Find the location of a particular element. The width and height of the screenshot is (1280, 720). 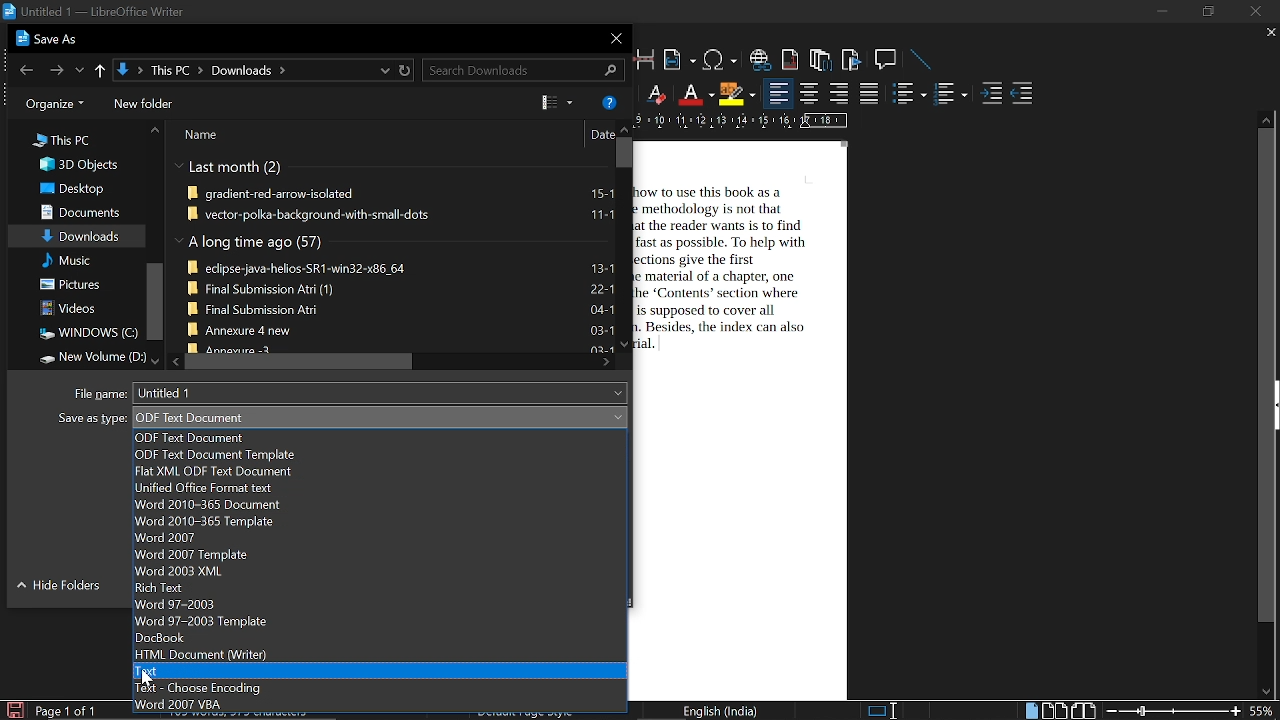

help is located at coordinates (609, 101).